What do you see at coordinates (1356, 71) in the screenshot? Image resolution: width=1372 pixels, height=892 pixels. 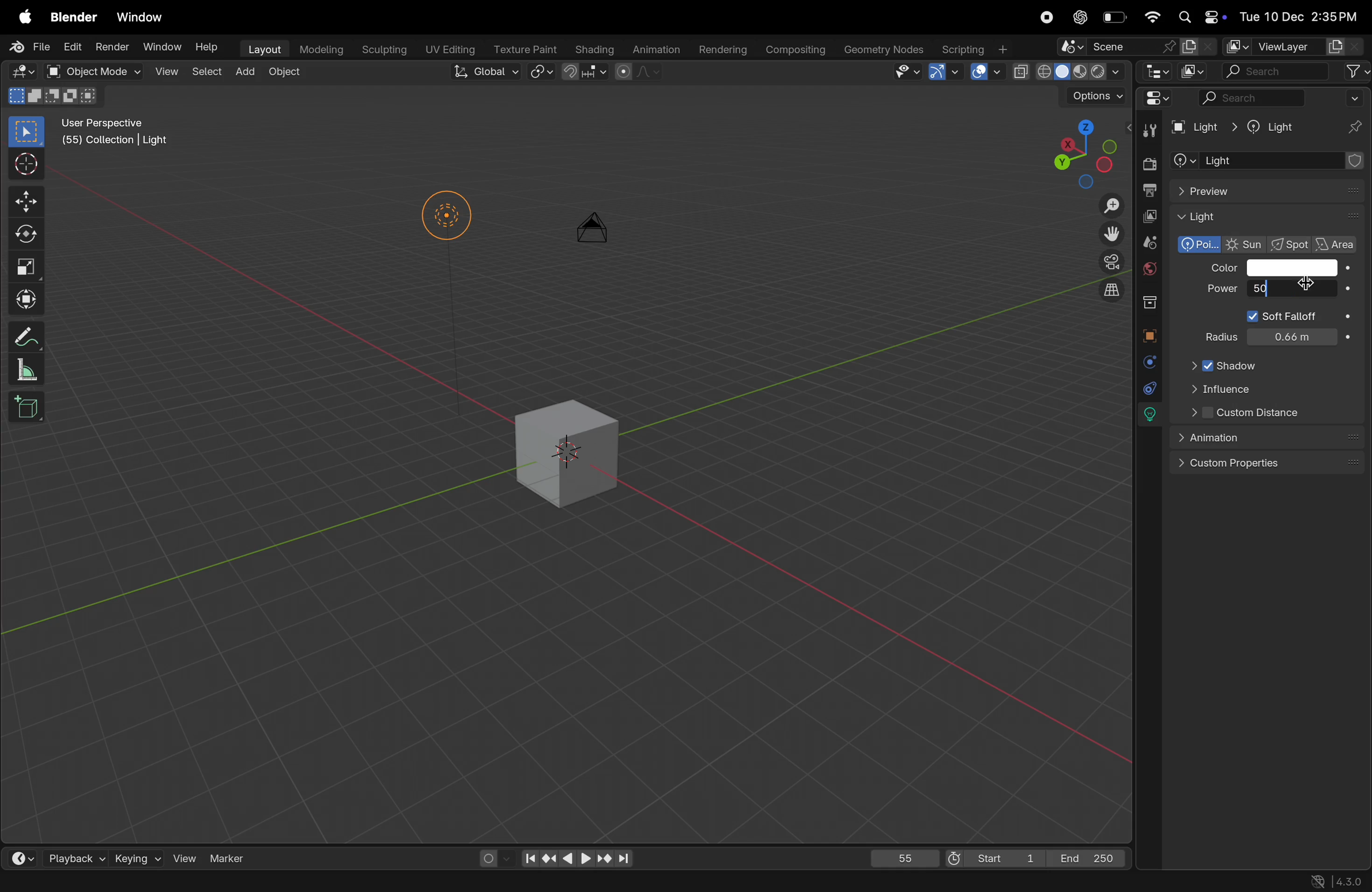 I see `filter` at bounding box center [1356, 71].